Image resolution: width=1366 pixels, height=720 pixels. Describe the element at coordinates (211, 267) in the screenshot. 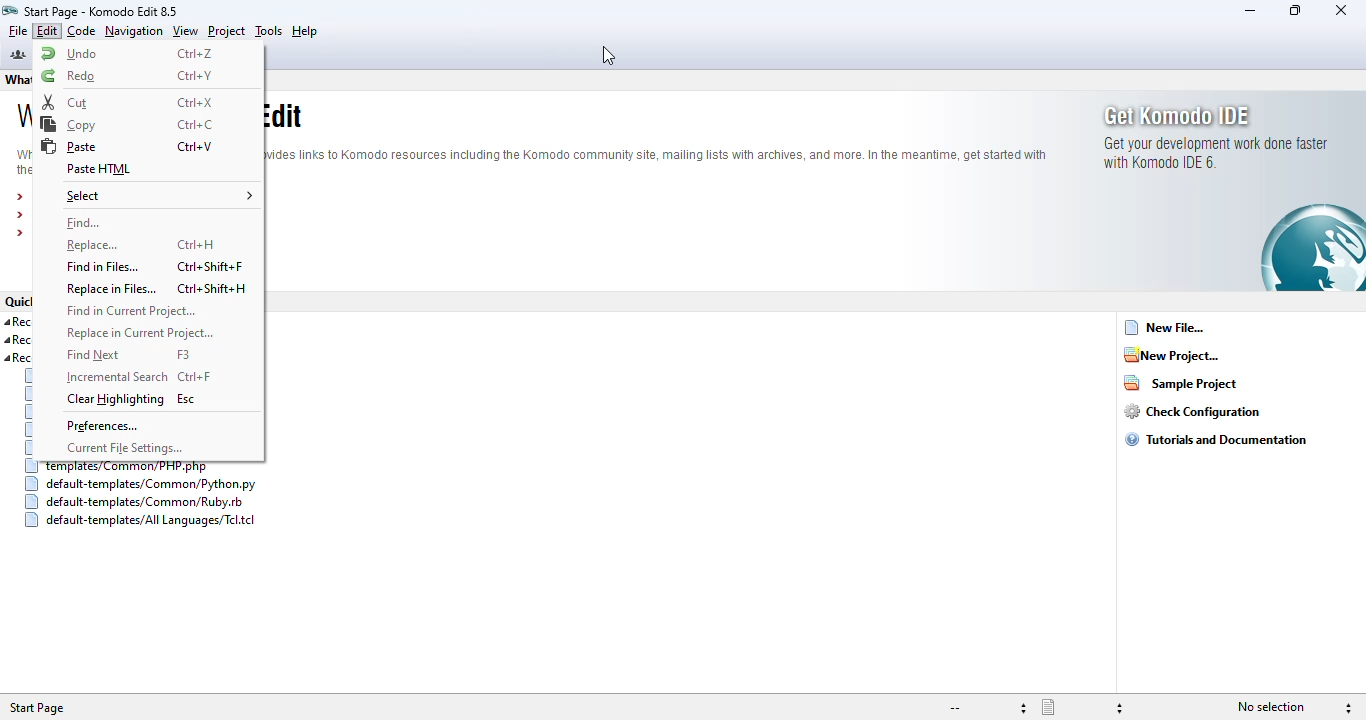

I see `shortcut for find in files` at that location.